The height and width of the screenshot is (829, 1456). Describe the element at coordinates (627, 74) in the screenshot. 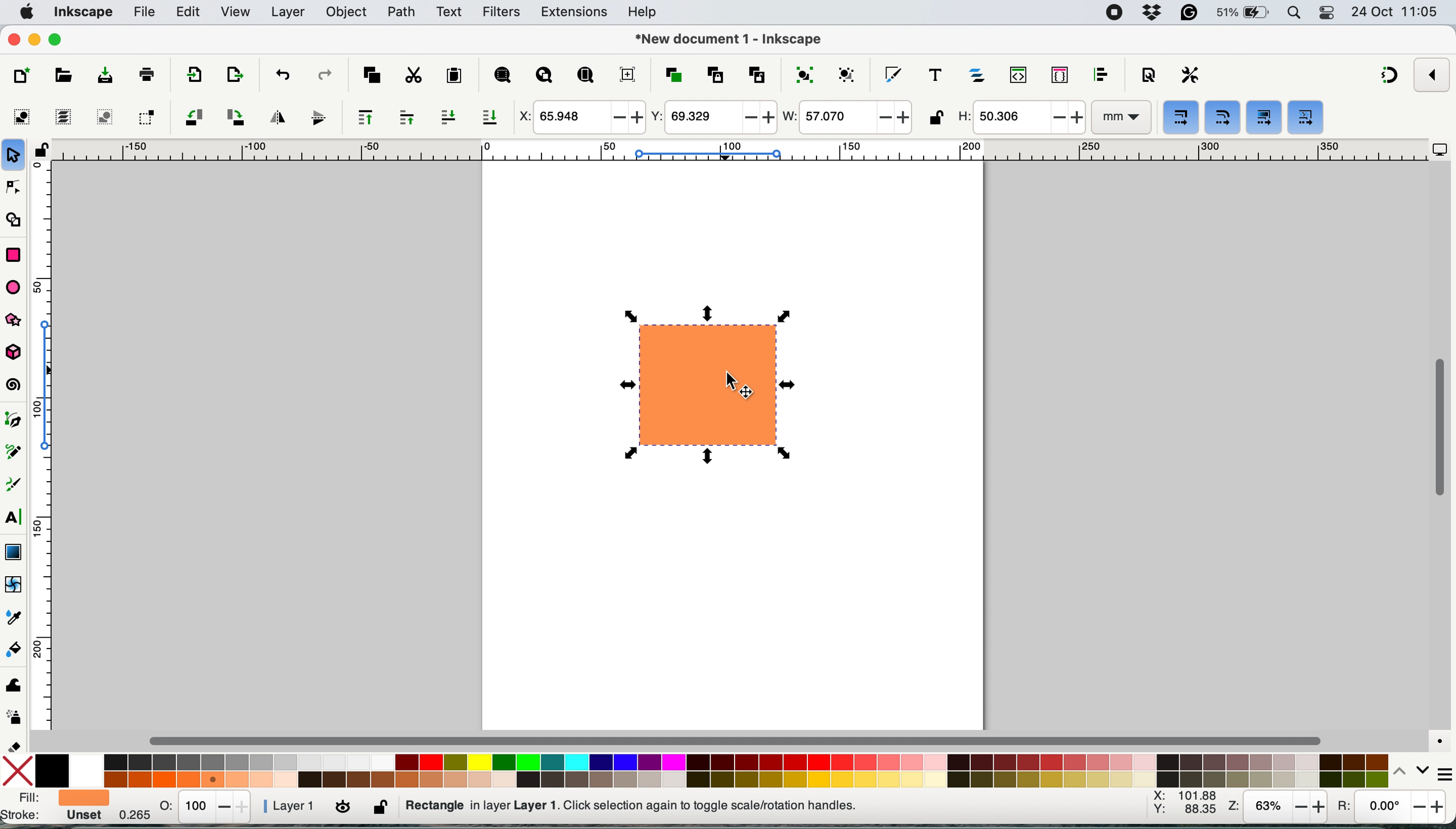

I see `zoom center page` at that location.